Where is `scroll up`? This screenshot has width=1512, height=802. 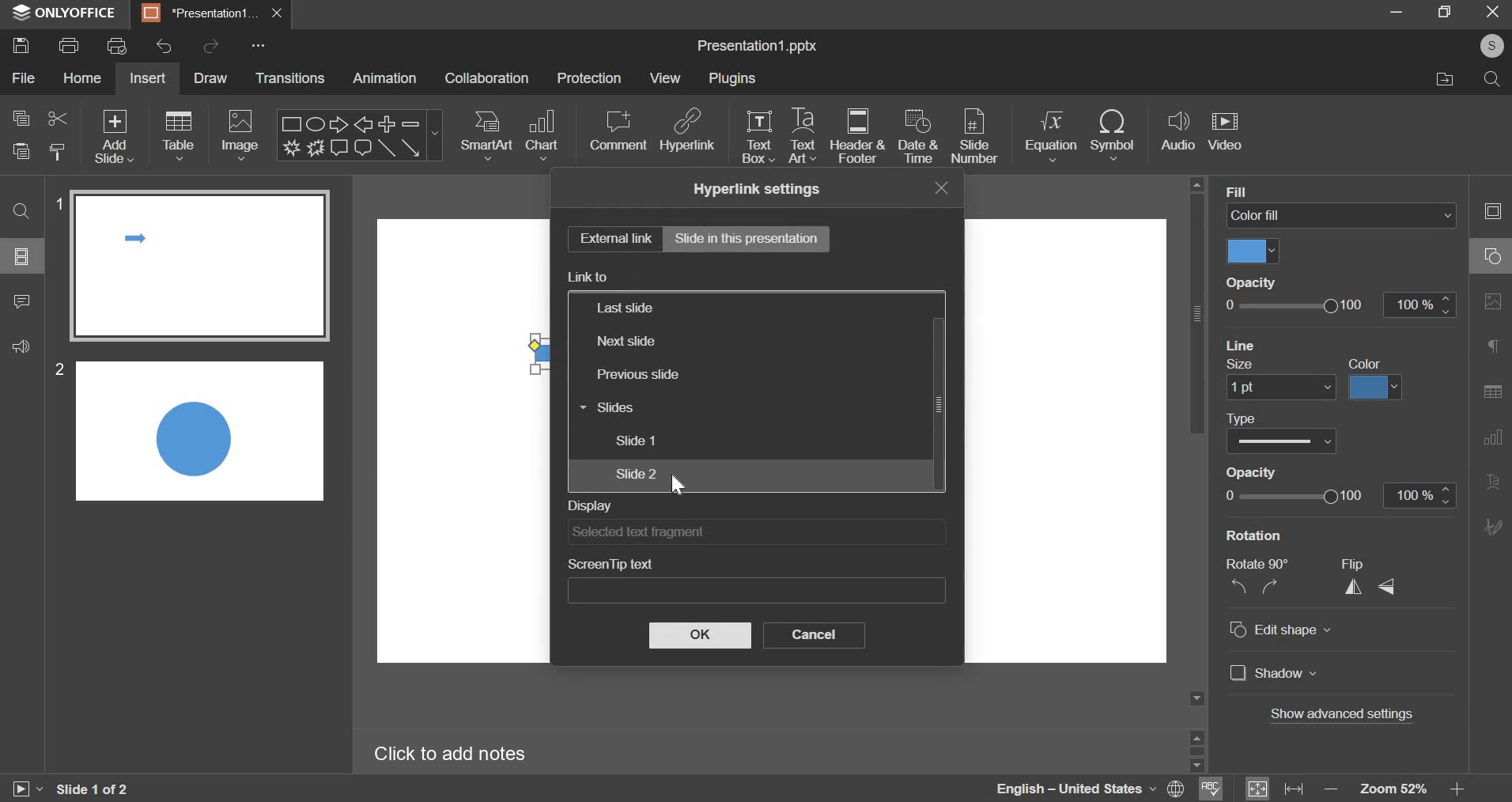
scroll up is located at coordinates (1197, 183).